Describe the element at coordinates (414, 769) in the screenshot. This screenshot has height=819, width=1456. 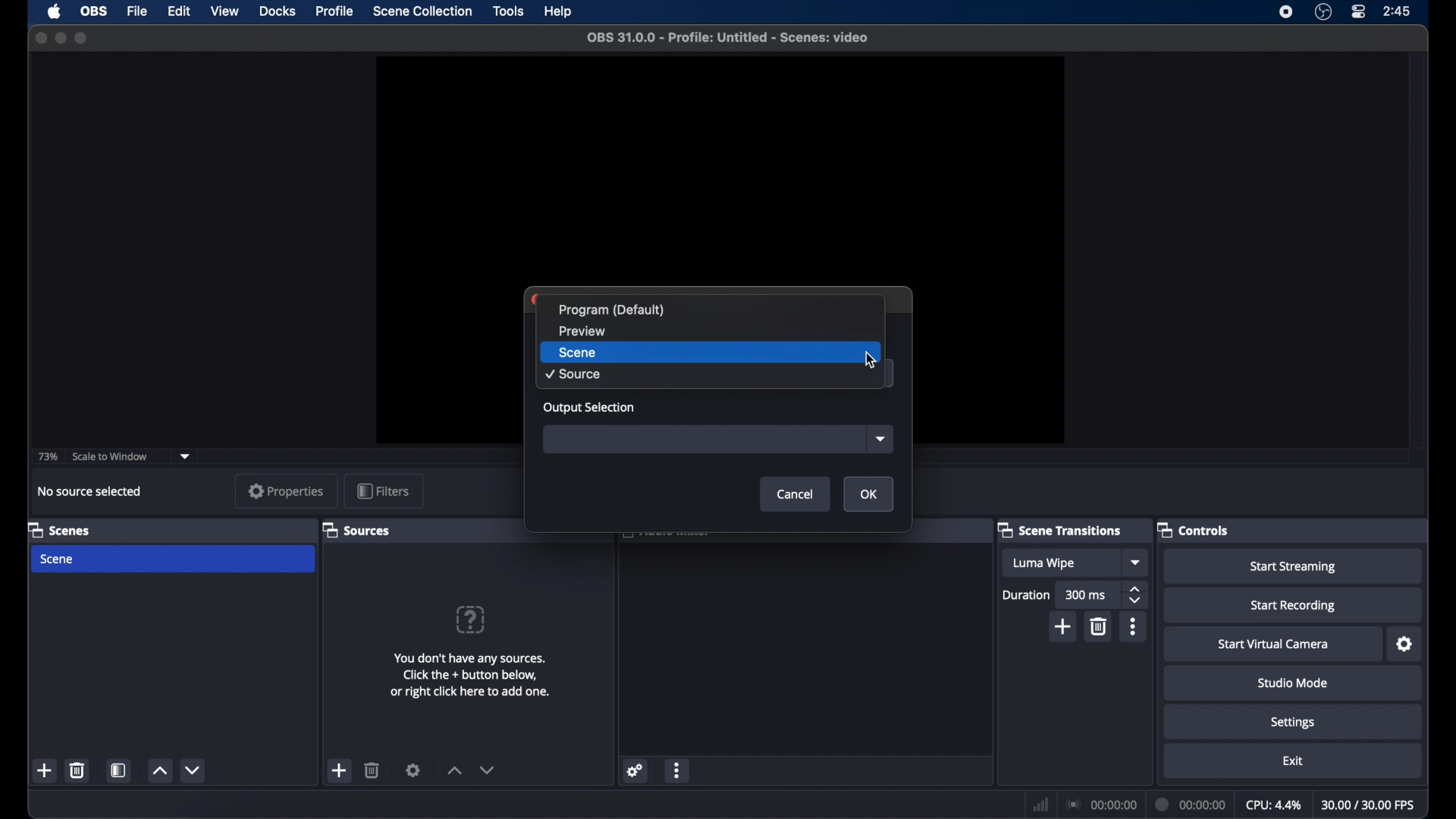
I see `settings` at that location.